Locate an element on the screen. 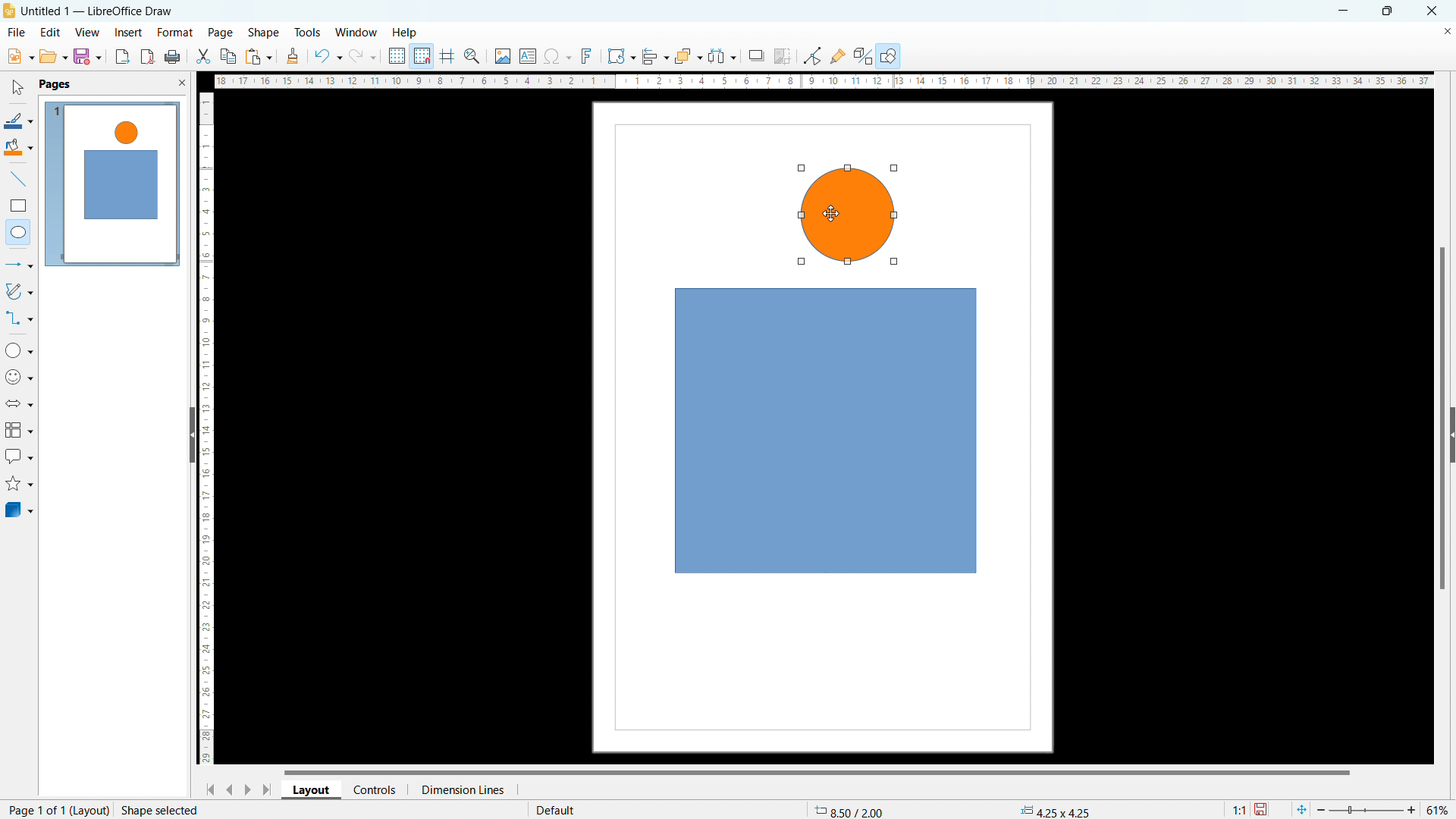  window is located at coordinates (357, 33).